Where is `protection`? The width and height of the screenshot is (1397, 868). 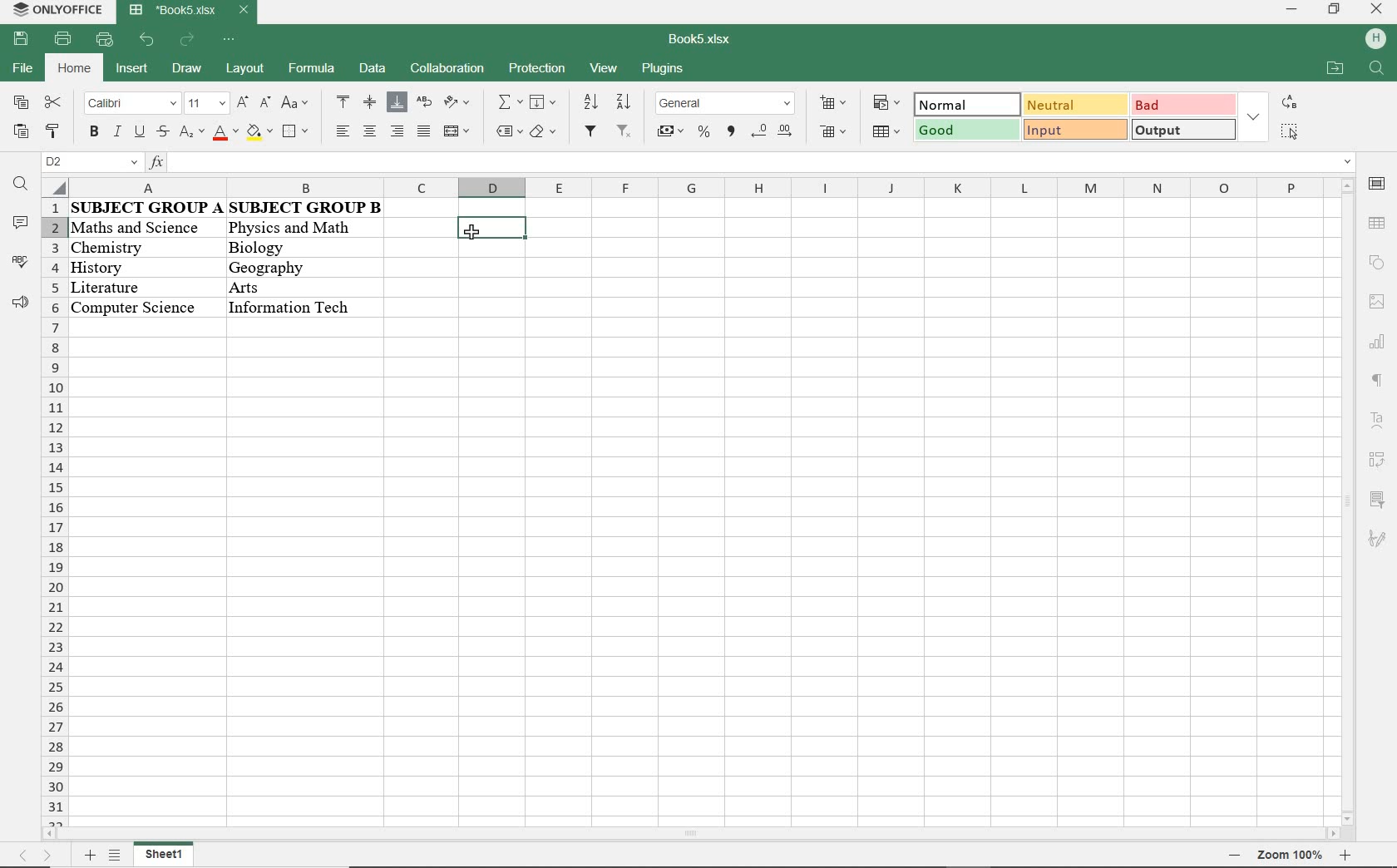 protection is located at coordinates (536, 70).